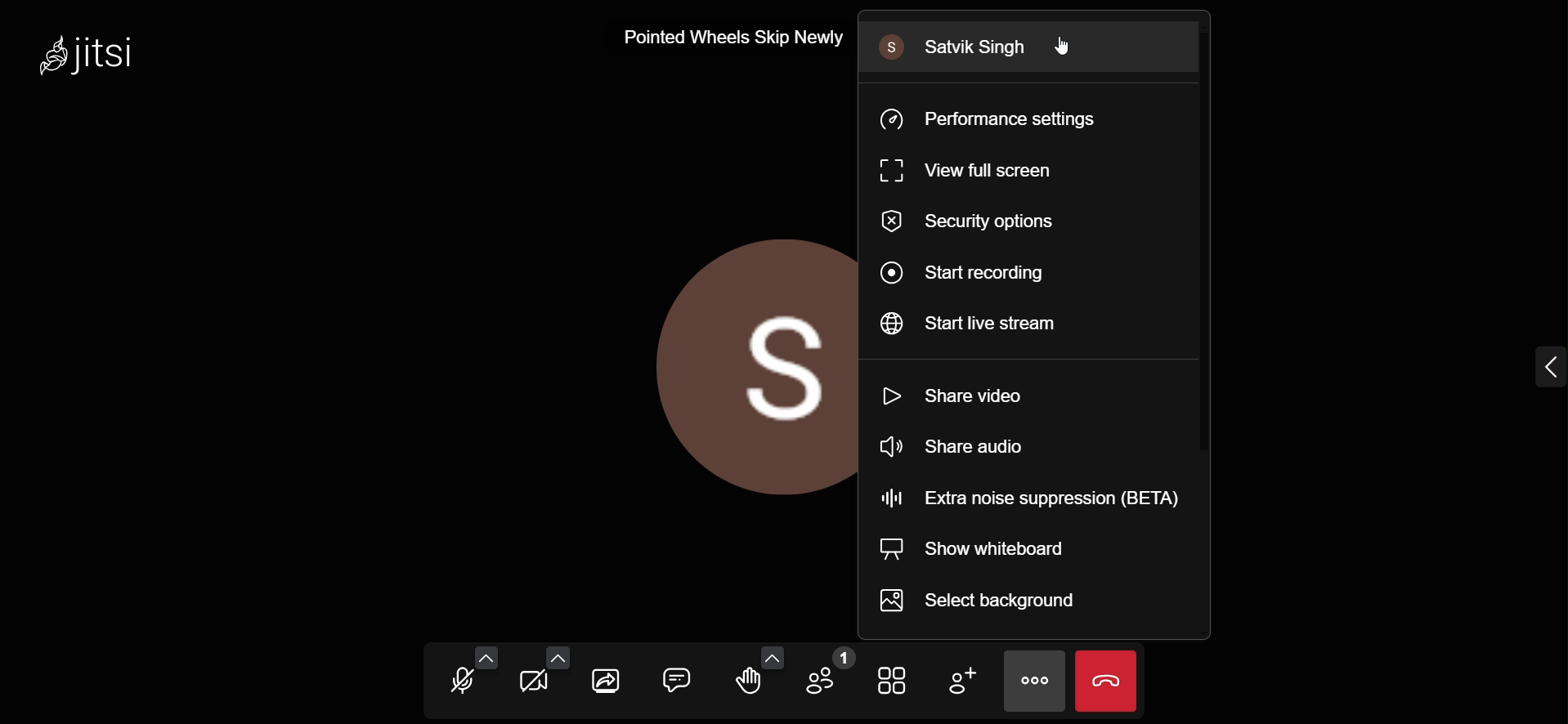 Image resolution: width=1568 pixels, height=724 pixels. What do you see at coordinates (992, 118) in the screenshot?
I see `performance setting` at bounding box center [992, 118].